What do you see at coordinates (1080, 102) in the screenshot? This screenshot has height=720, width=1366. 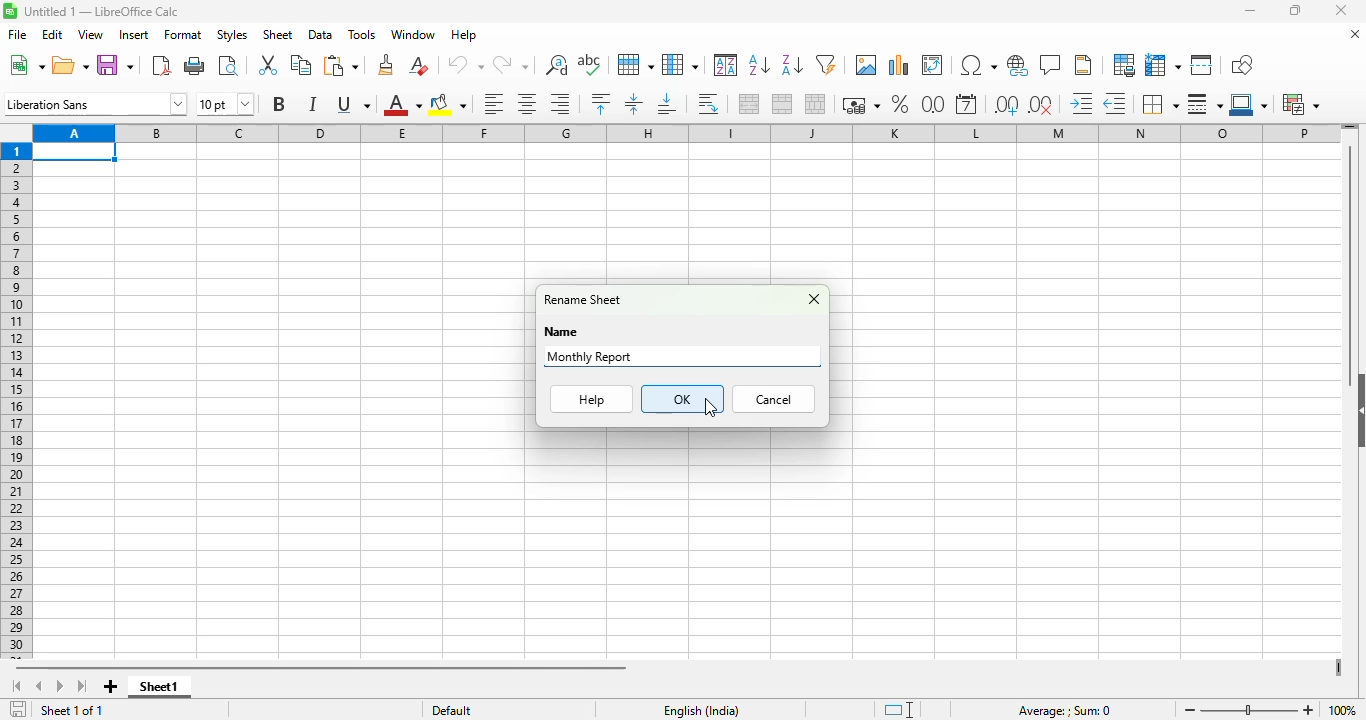 I see `increase indent` at bounding box center [1080, 102].